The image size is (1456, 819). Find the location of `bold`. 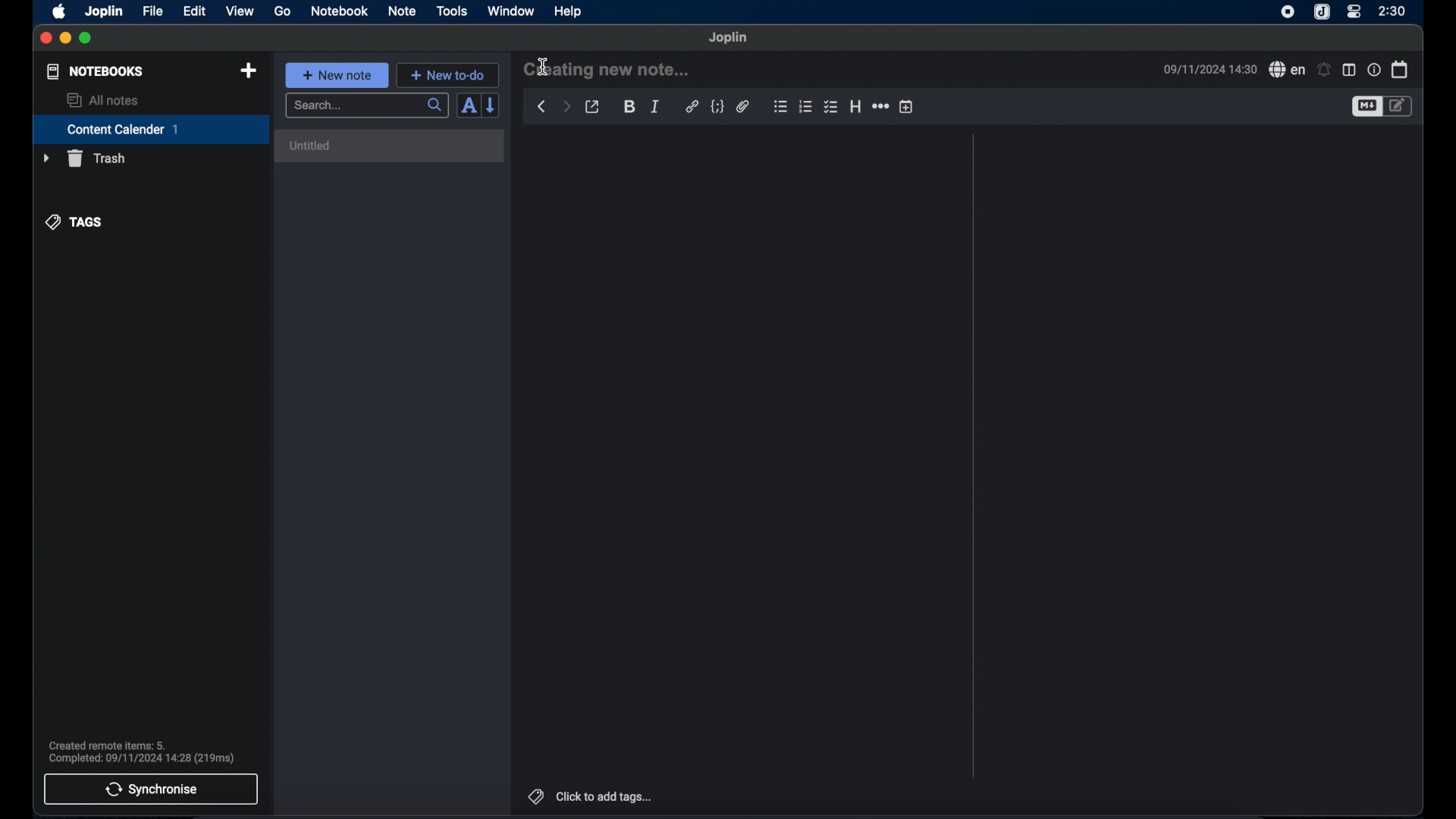

bold is located at coordinates (628, 105).